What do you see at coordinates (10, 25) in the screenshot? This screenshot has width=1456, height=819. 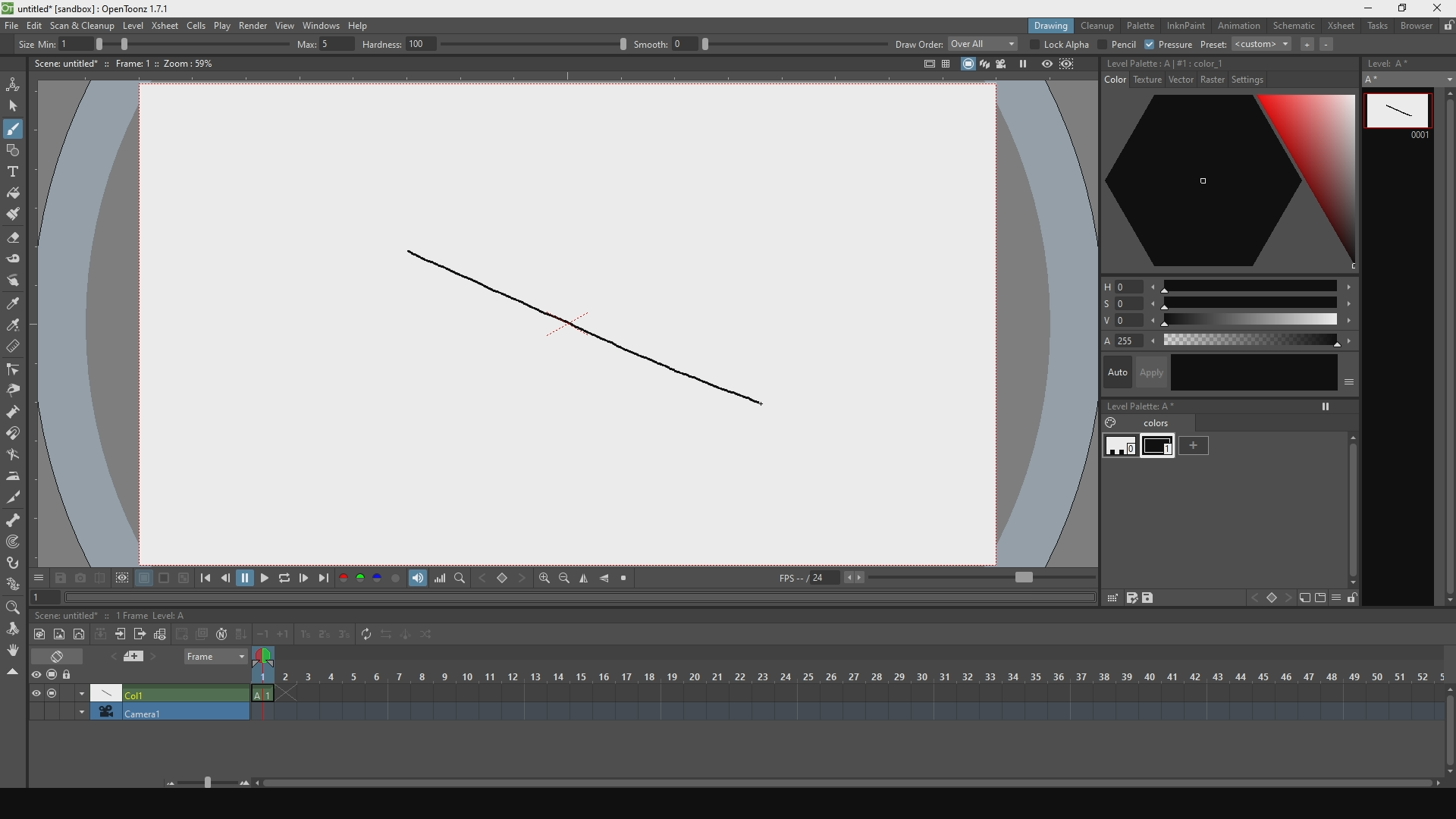 I see `file` at bounding box center [10, 25].